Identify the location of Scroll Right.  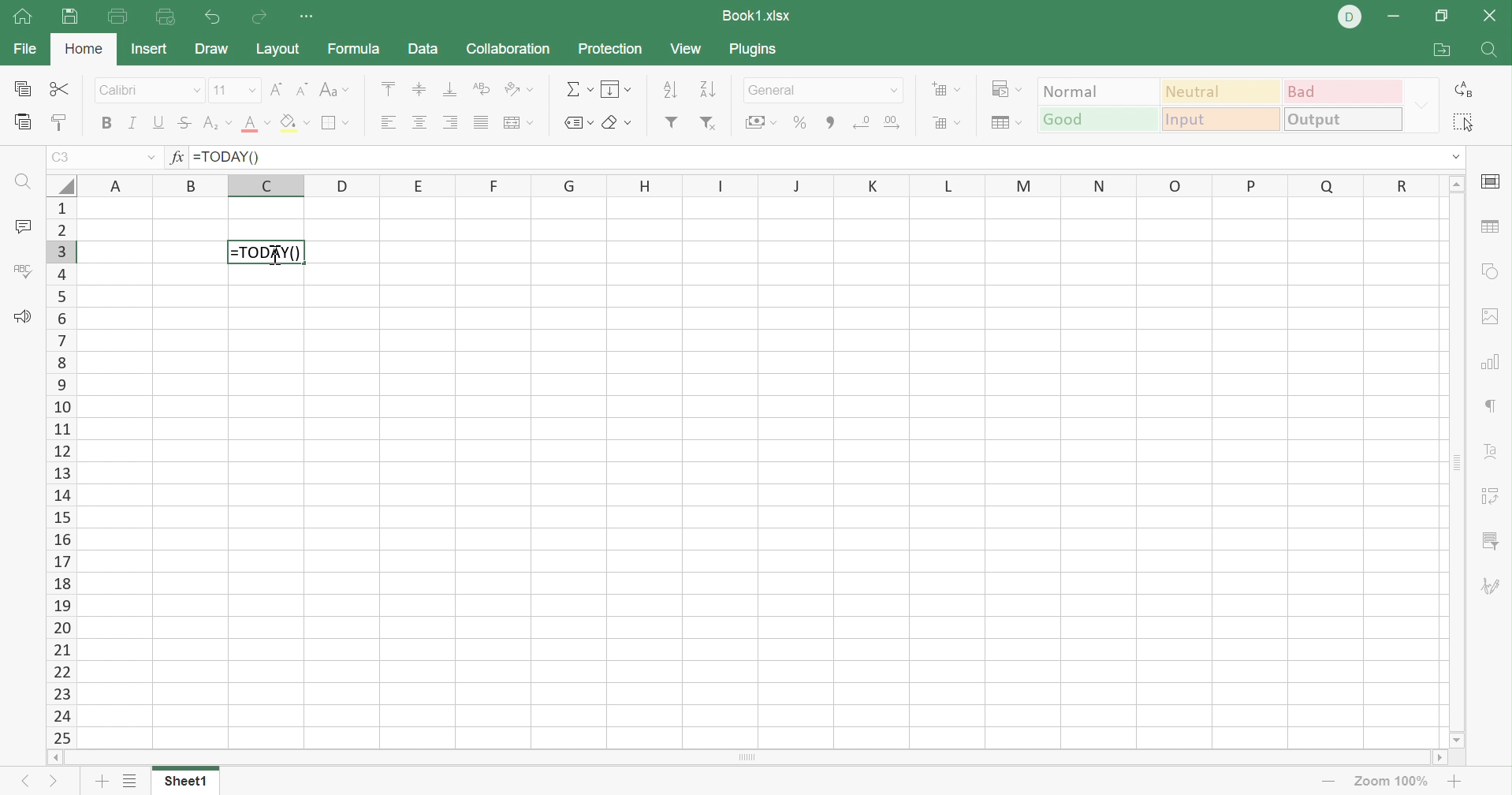
(1437, 757).